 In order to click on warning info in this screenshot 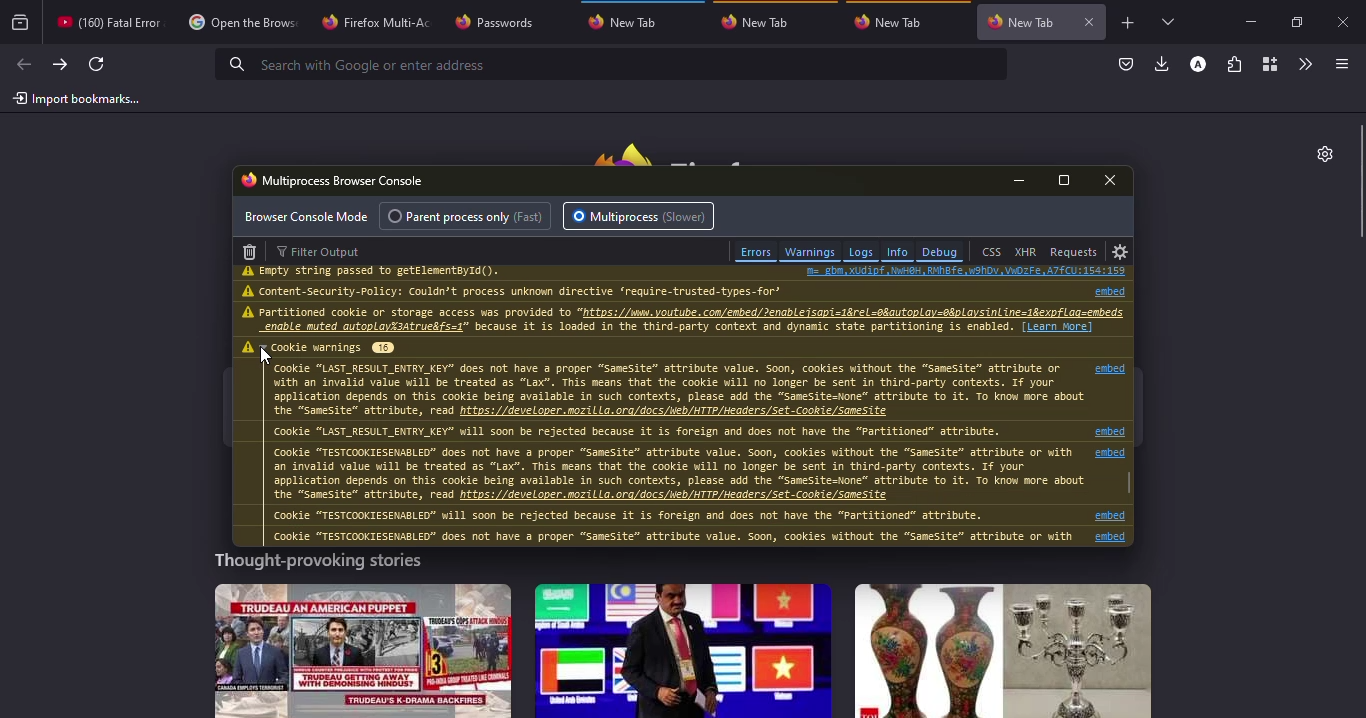, I will do `click(670, 453)`.